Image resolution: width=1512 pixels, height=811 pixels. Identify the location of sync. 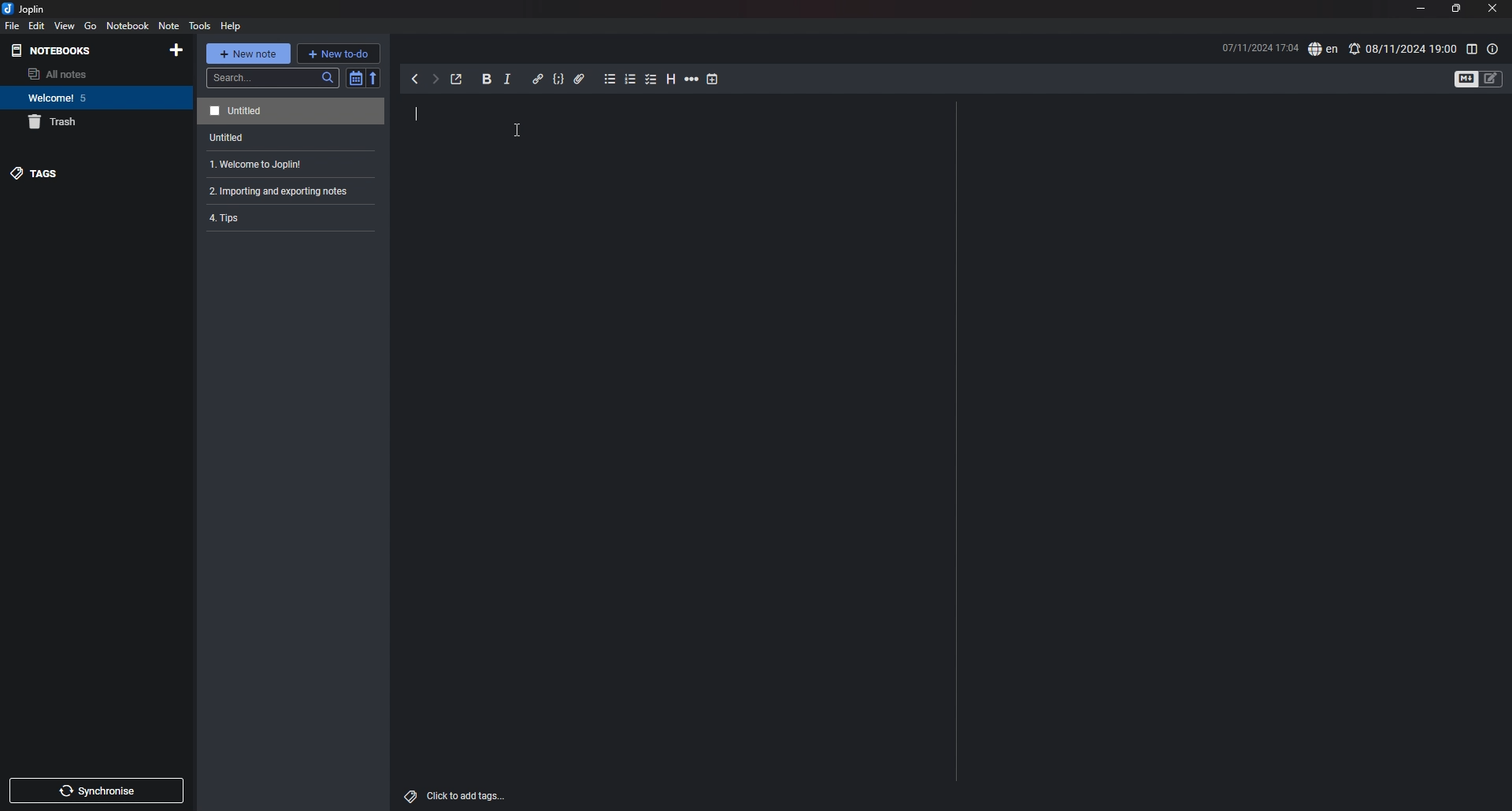
(96, 790).